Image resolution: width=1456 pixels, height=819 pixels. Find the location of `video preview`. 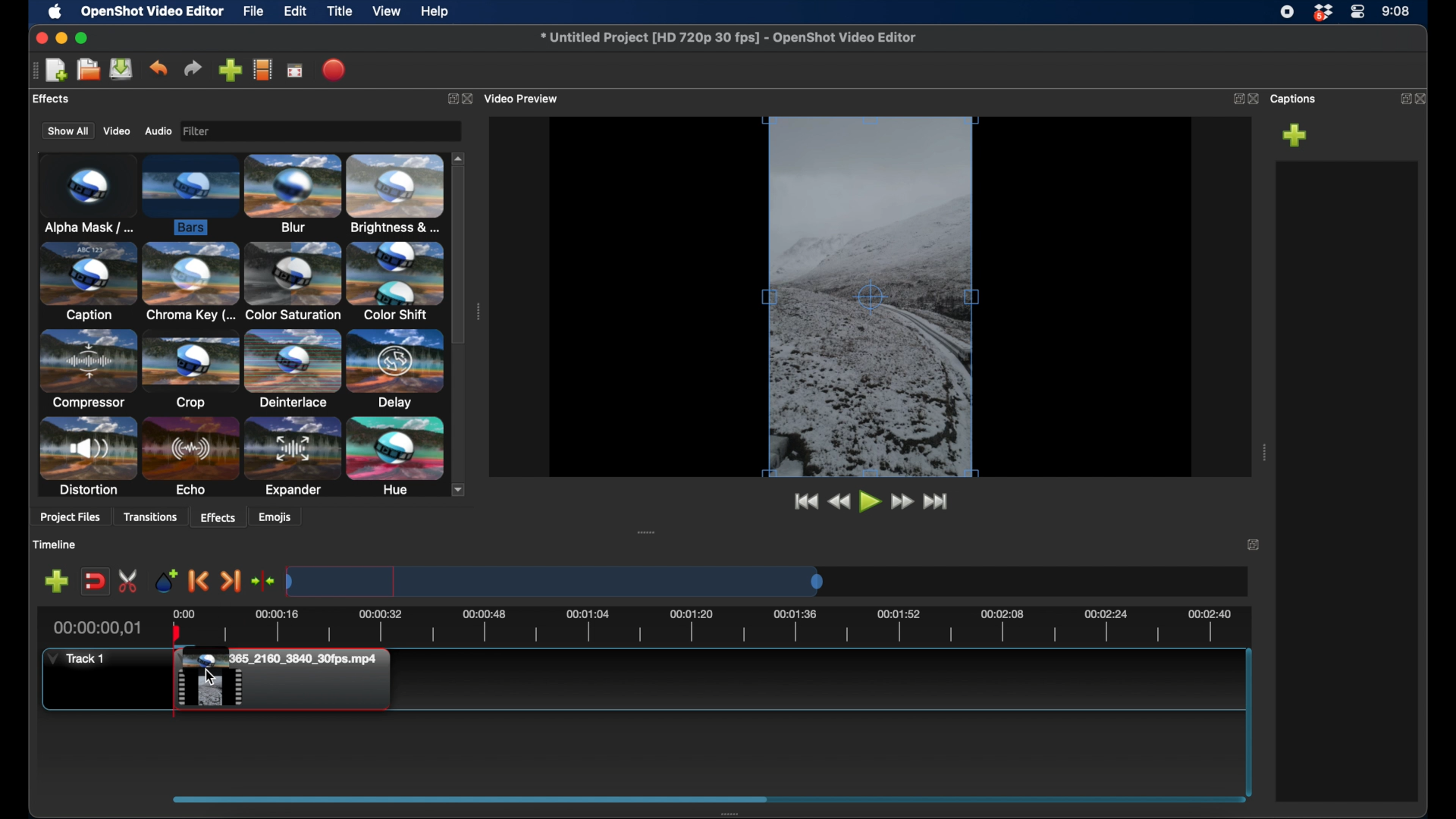

video preview is located at coordinates (868, 298).